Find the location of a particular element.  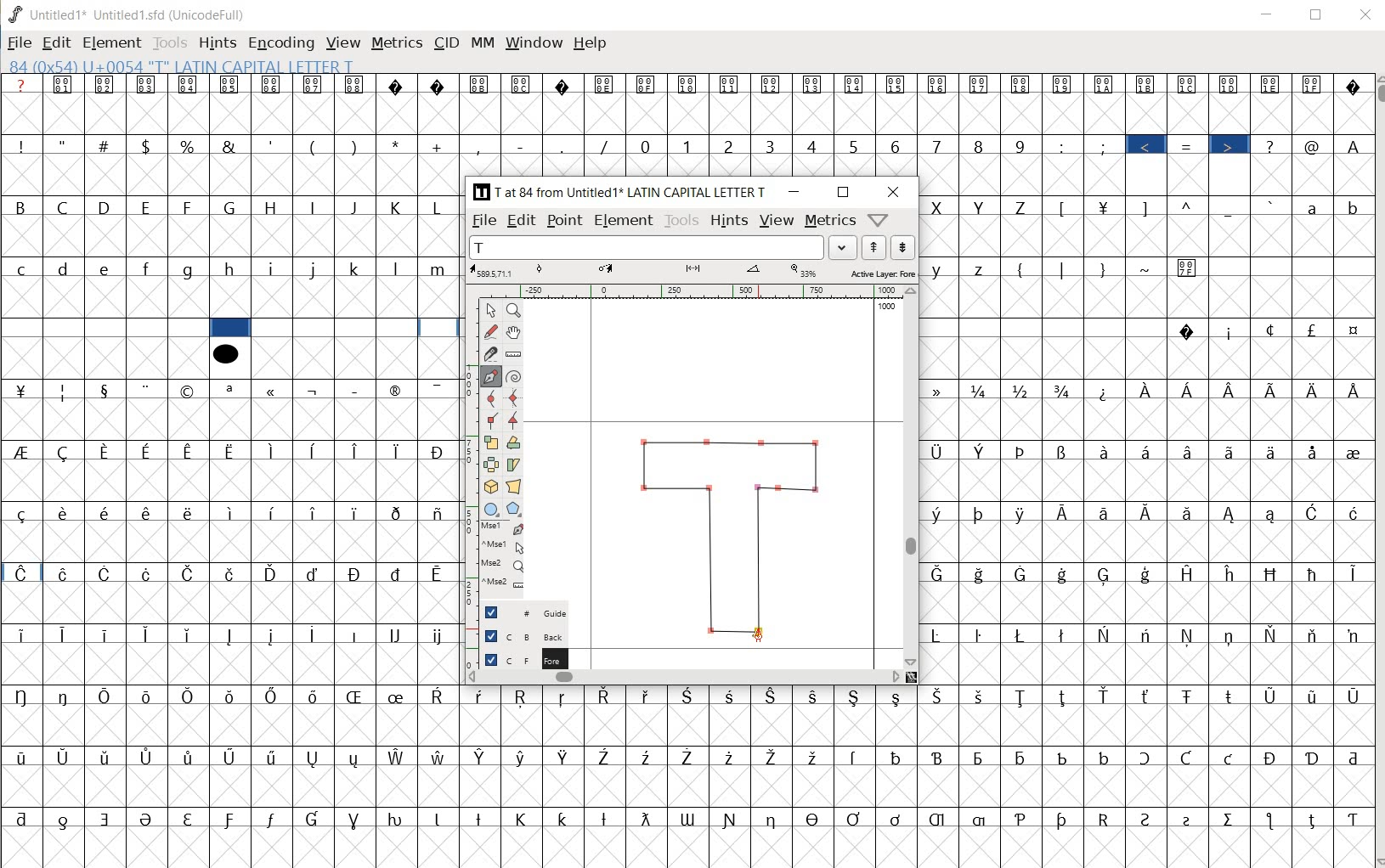

background layer is located at coordinates (524, 635).